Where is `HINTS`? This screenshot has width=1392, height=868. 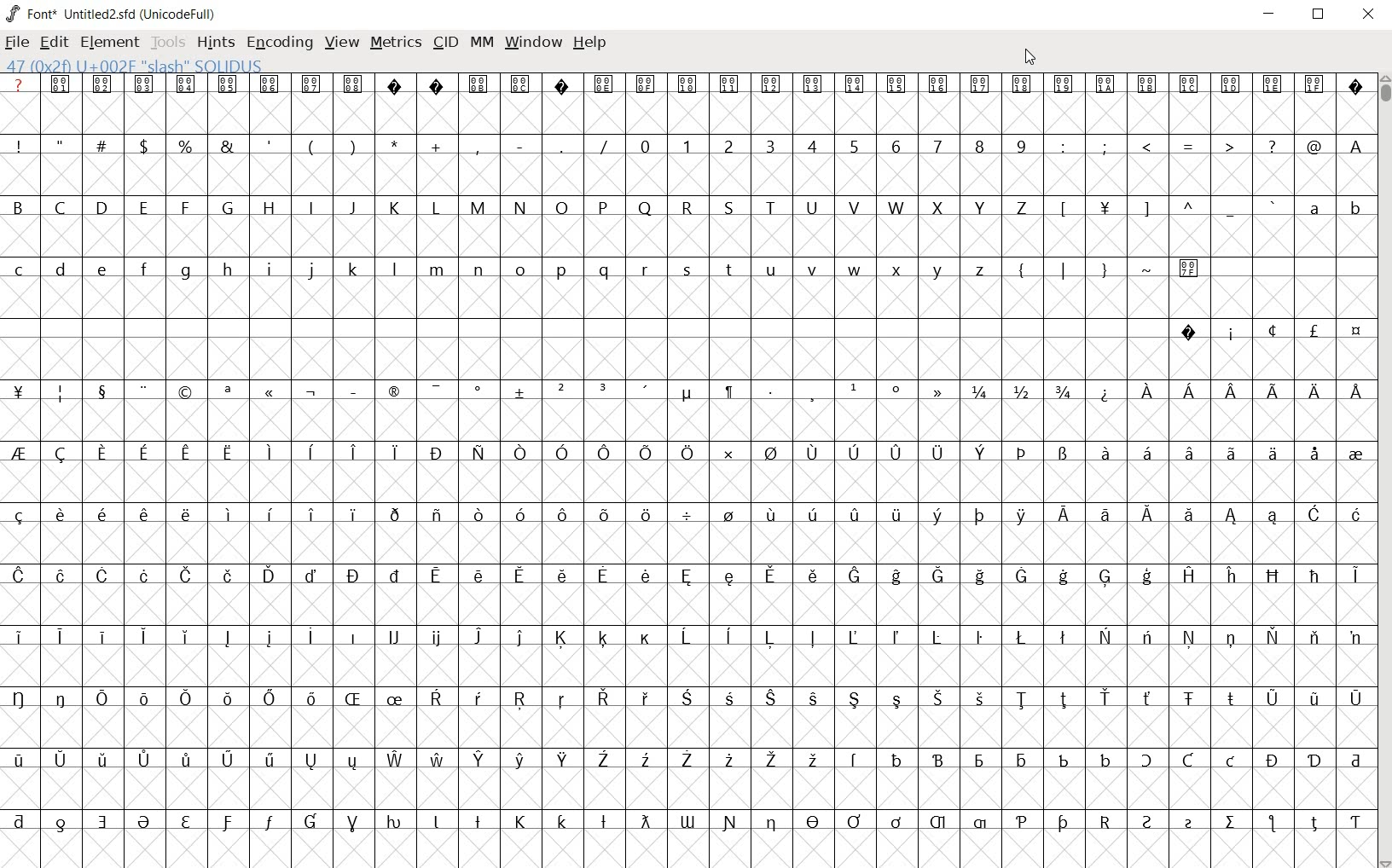 HINTS is located at coordinates (216, 43).